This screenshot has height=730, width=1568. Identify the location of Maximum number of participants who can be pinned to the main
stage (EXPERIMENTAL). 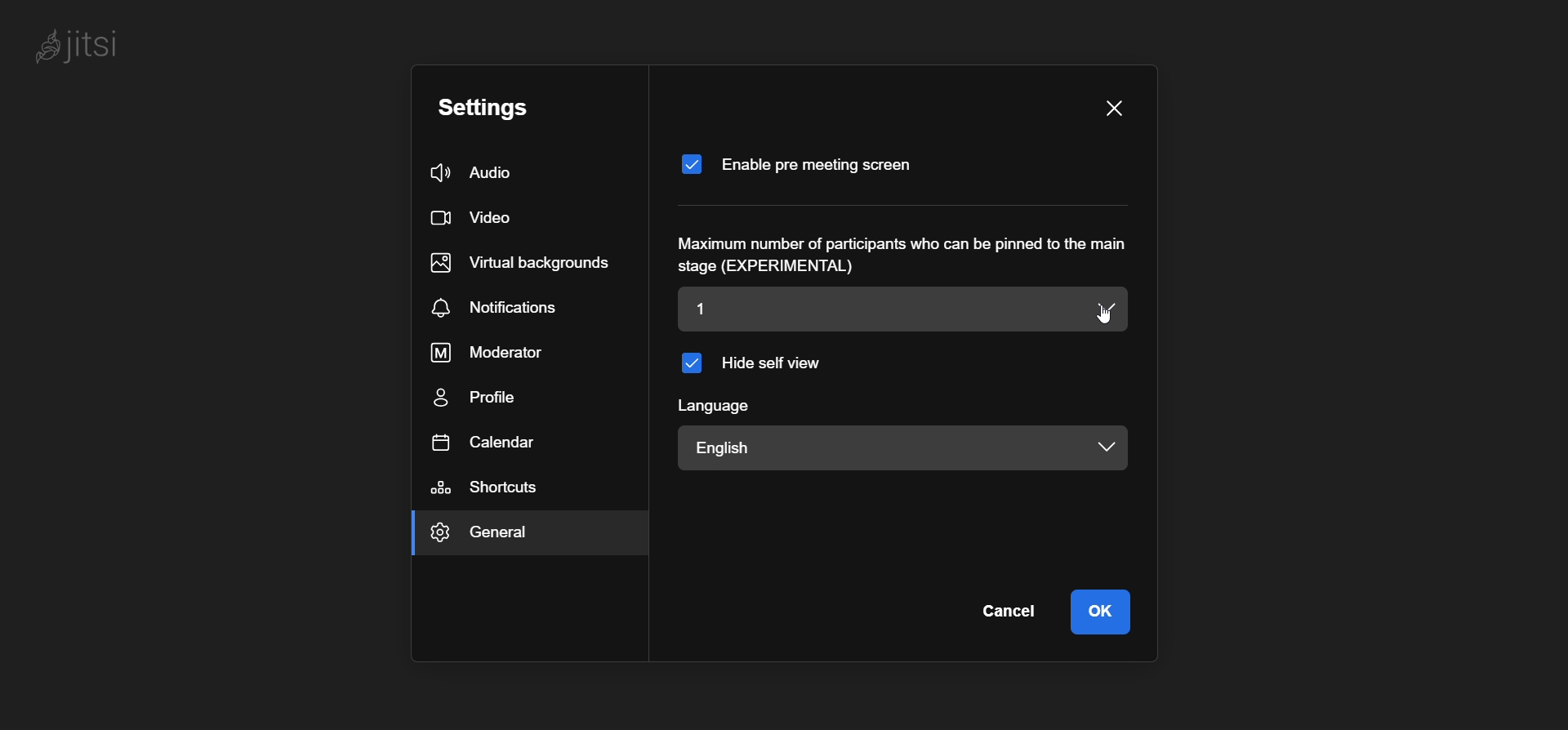
(910, 256).